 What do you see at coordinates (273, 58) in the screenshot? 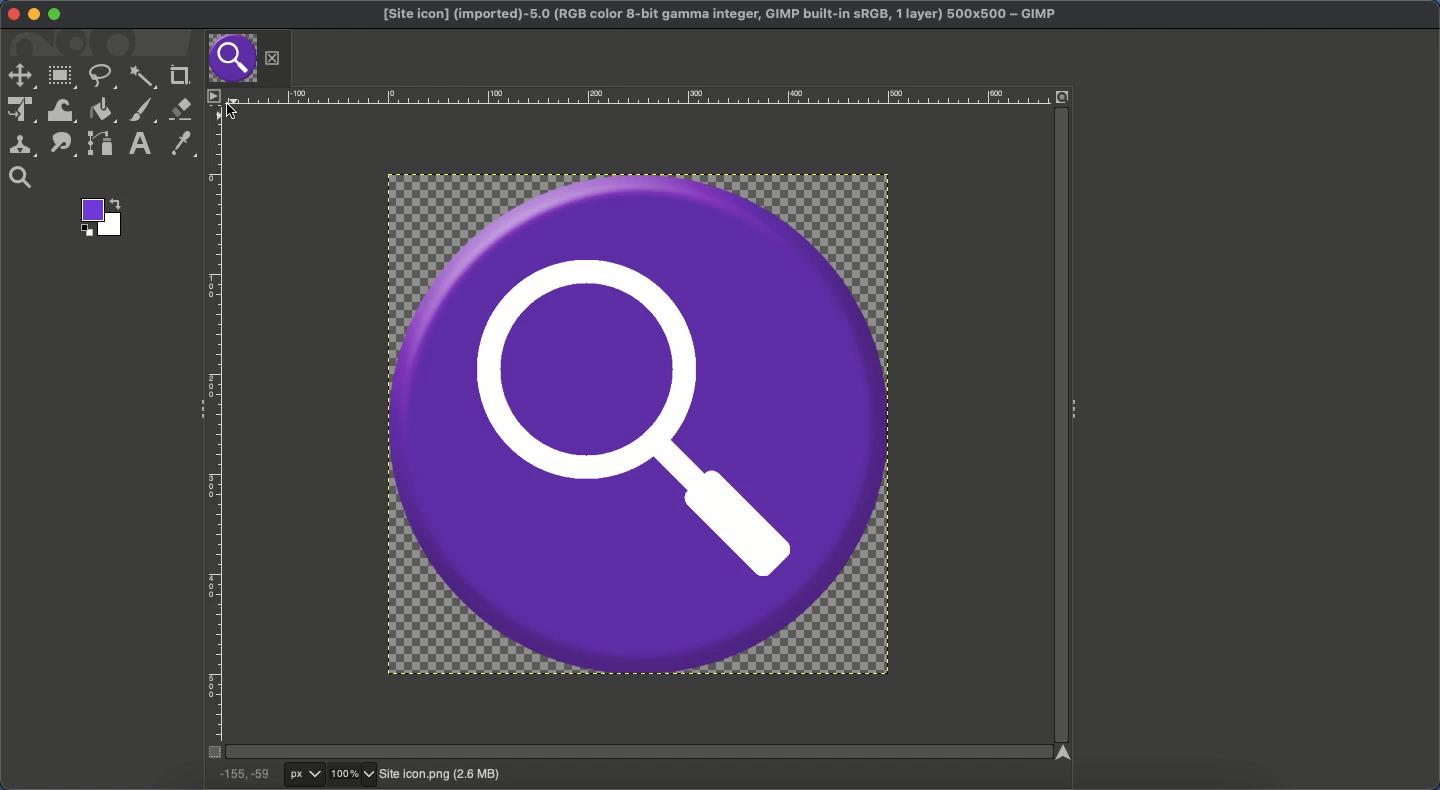
I see `Close` at bounding box center [273, 58].